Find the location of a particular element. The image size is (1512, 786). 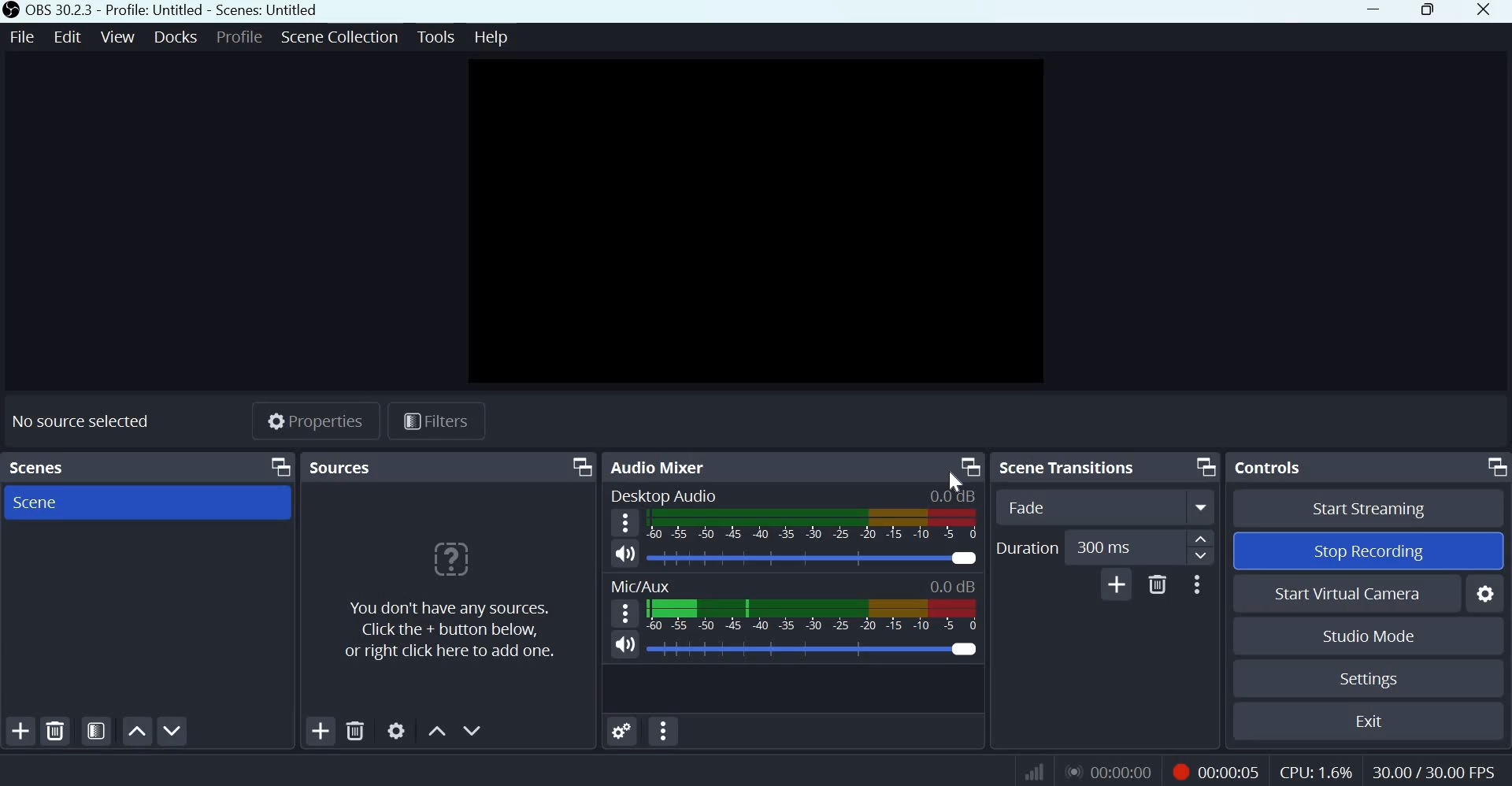

Mic/Aux is located at coordinates (645, 586).